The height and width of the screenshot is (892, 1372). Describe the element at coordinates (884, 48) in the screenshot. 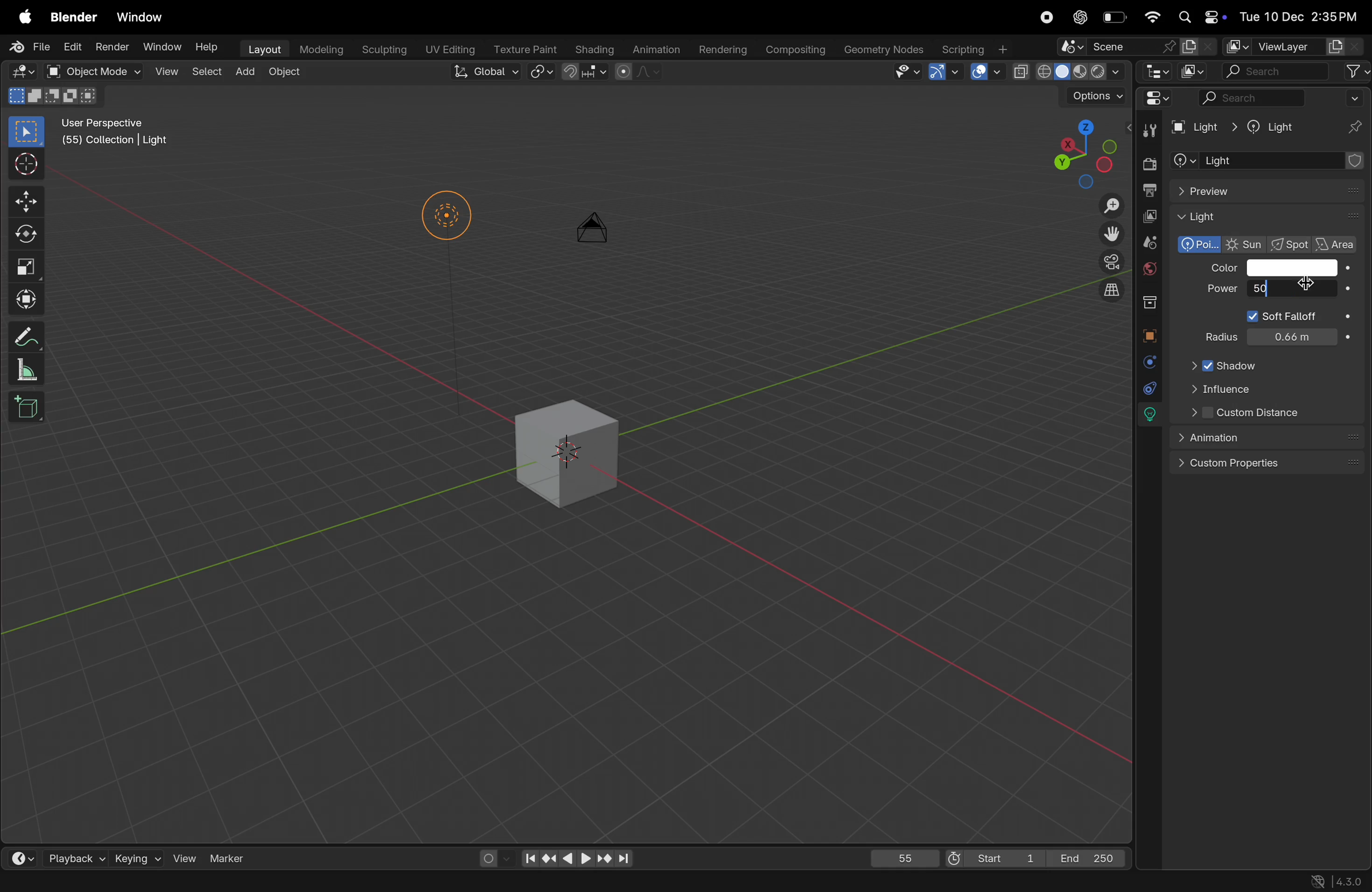

I see `geometery nodes` at that location.